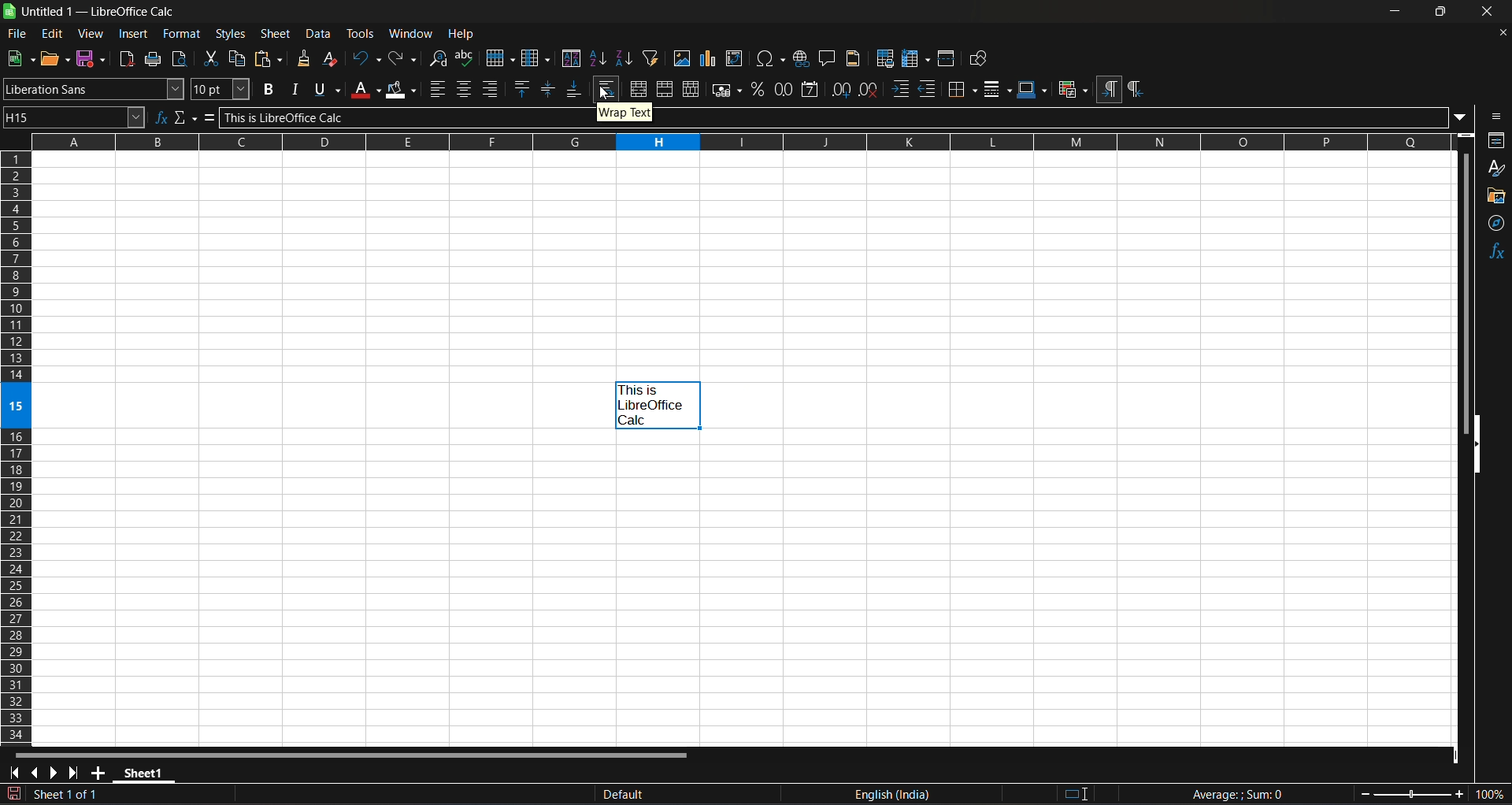 The height and width of the screenshot is (805, 1512). I want to click on merge and center or unmerge cells depending on the current toggle state., so click(638, 90).